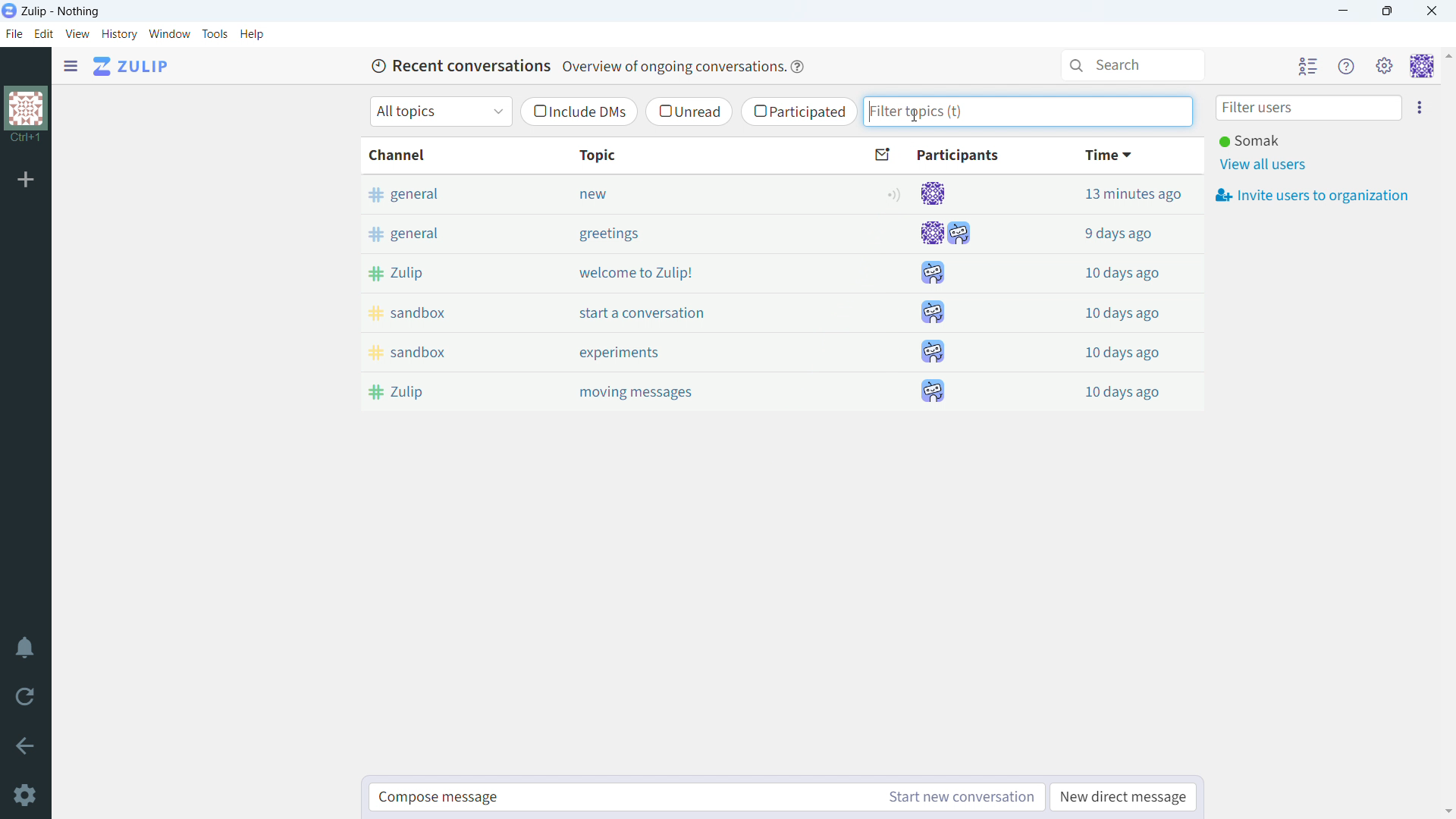 This screenshot has width=1456, height=819. What do you see at coordinates (1308, 66) in the screenshot?
I see `hide all users` at bounding box center [1308, 66].